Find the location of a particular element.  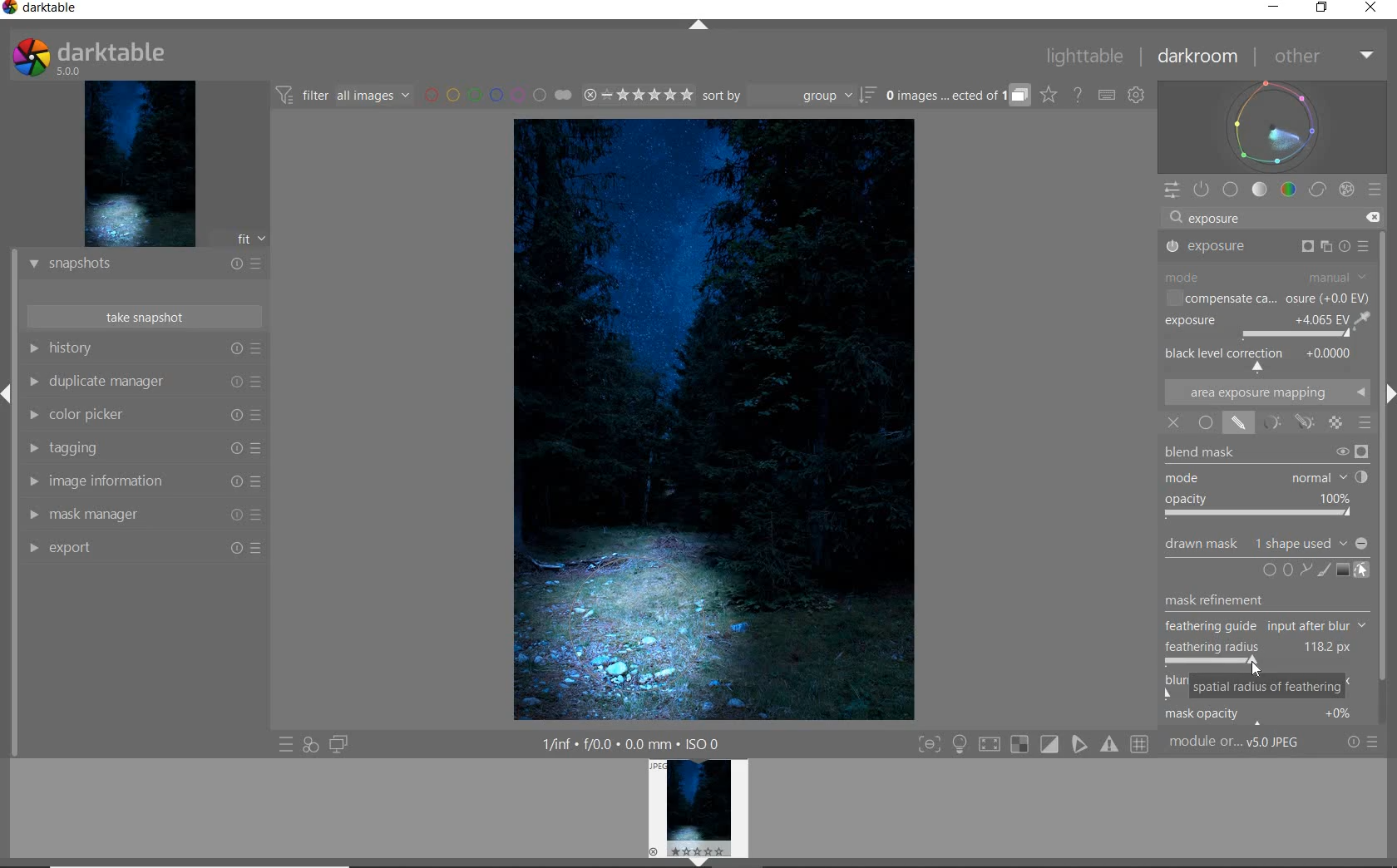

EXPOSURE ADJUSTED is located at coordinates (1273, 328).